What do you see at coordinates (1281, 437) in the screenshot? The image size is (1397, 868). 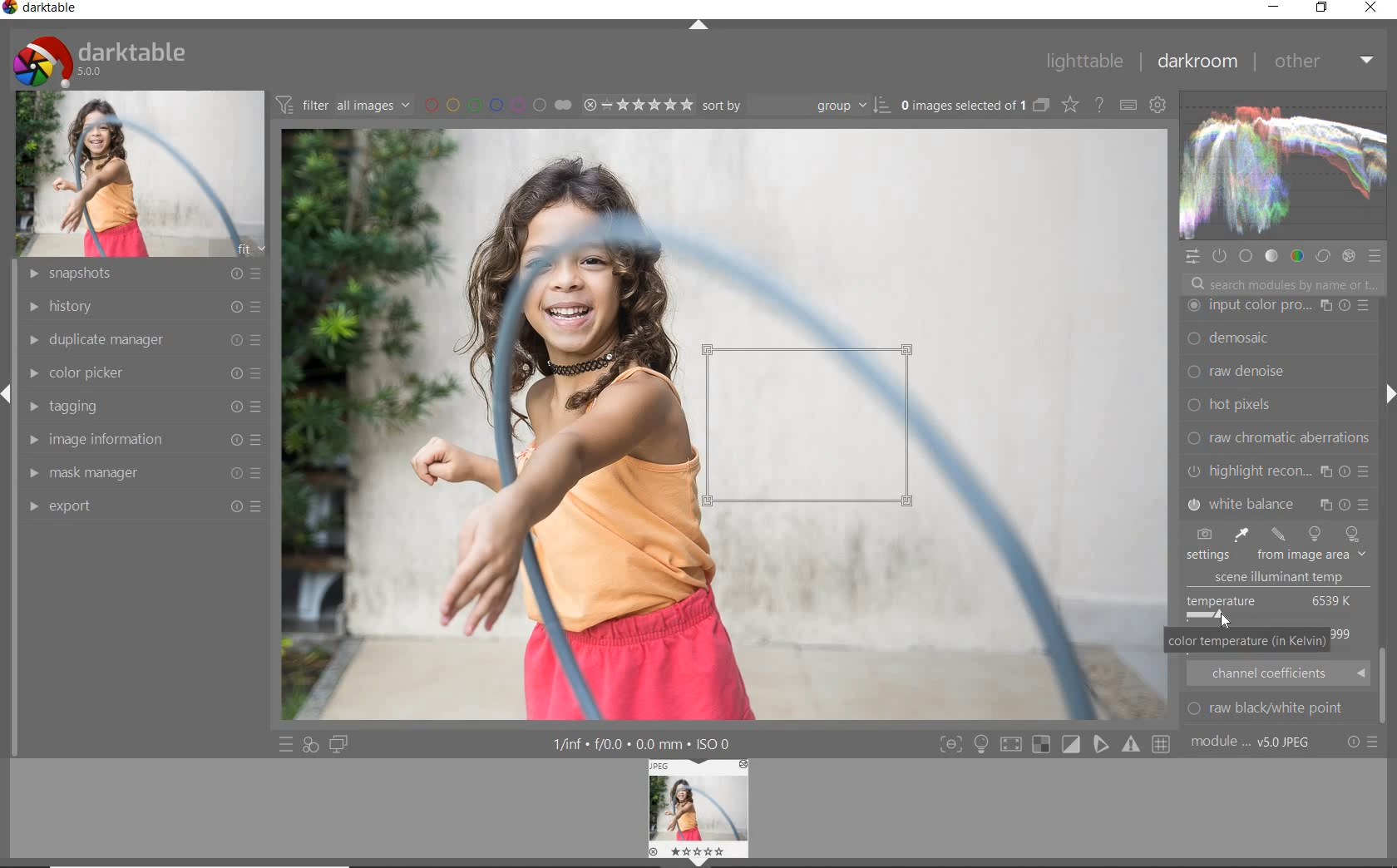 I see `color reconstruction` at bounding box center [1281, 437].